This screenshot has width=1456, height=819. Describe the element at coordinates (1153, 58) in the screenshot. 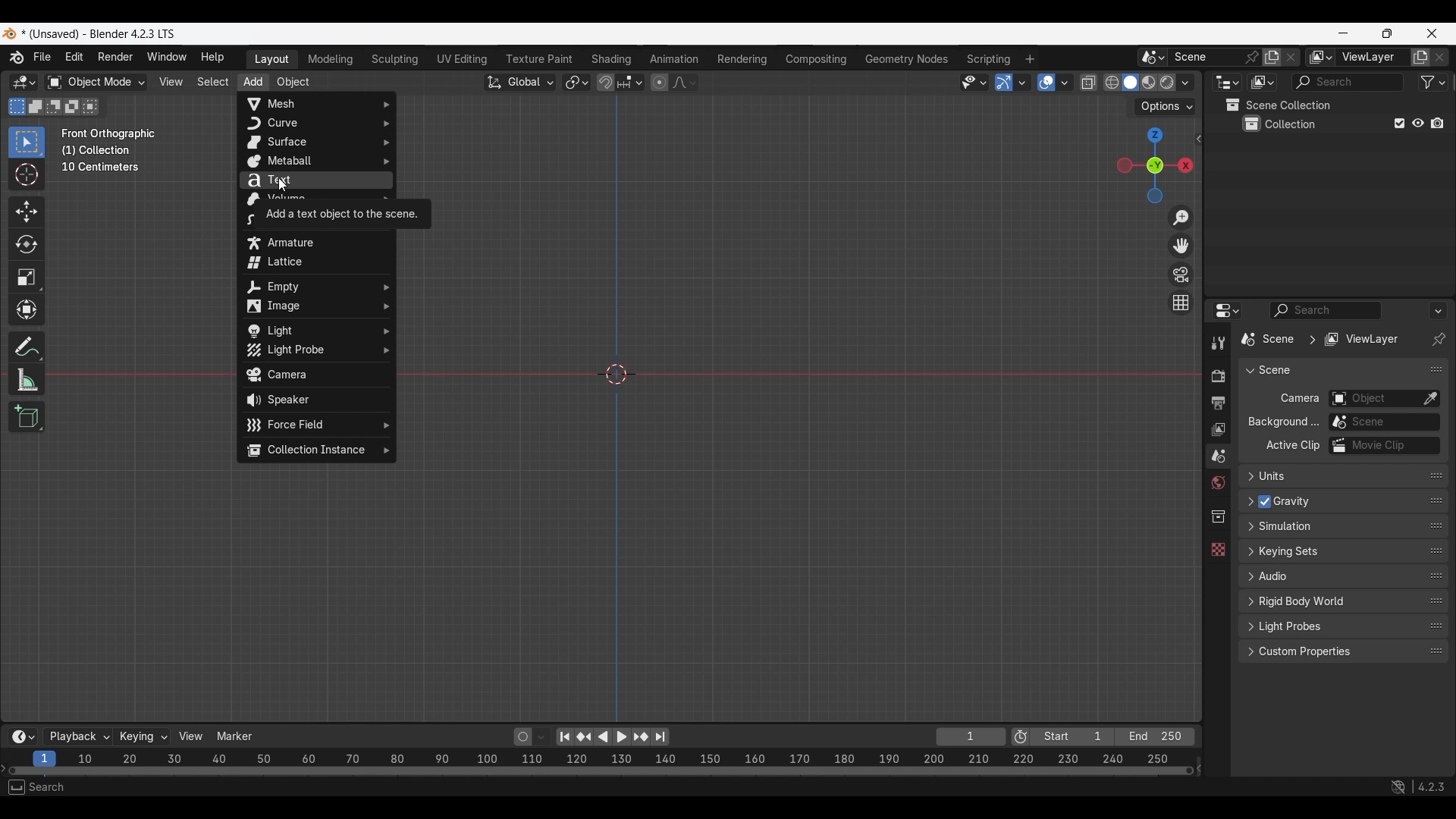

I see `Browse scene to be linked` at that location.